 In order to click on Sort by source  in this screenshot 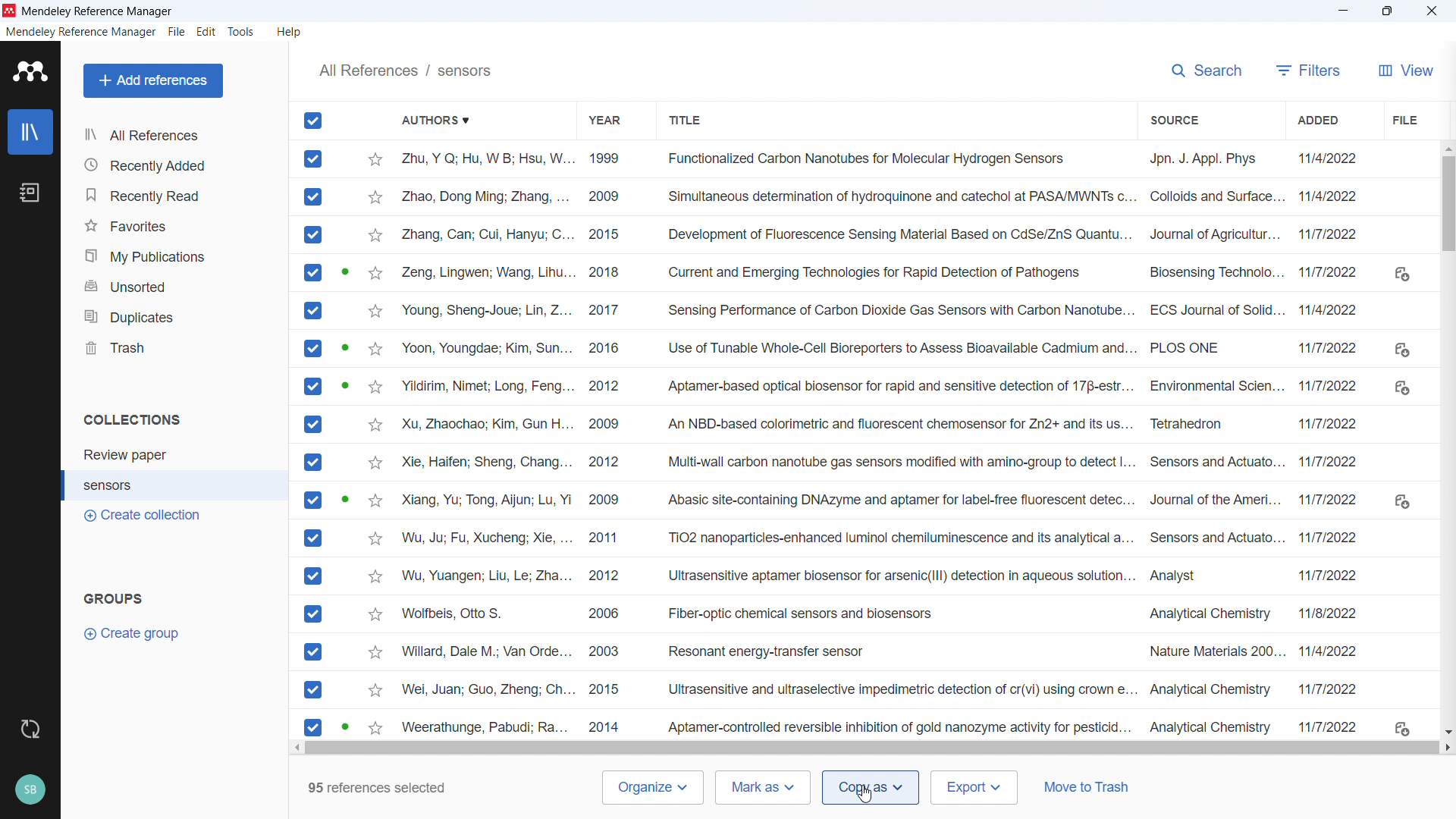, I will do `click(1172, 119)`.